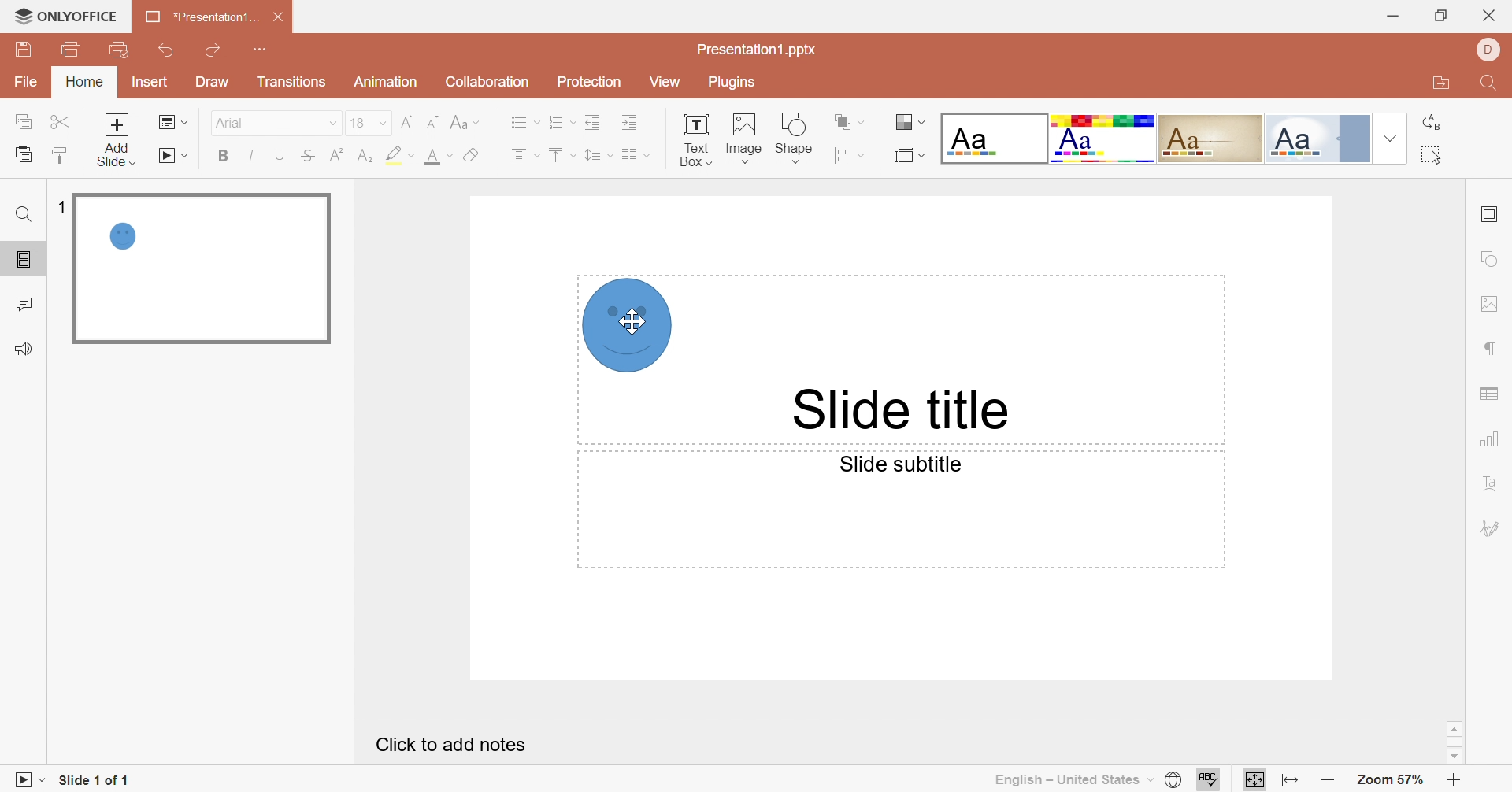 The width and height of the screenshot is (1512, 792). I want to click on 1, so click(61, 204).